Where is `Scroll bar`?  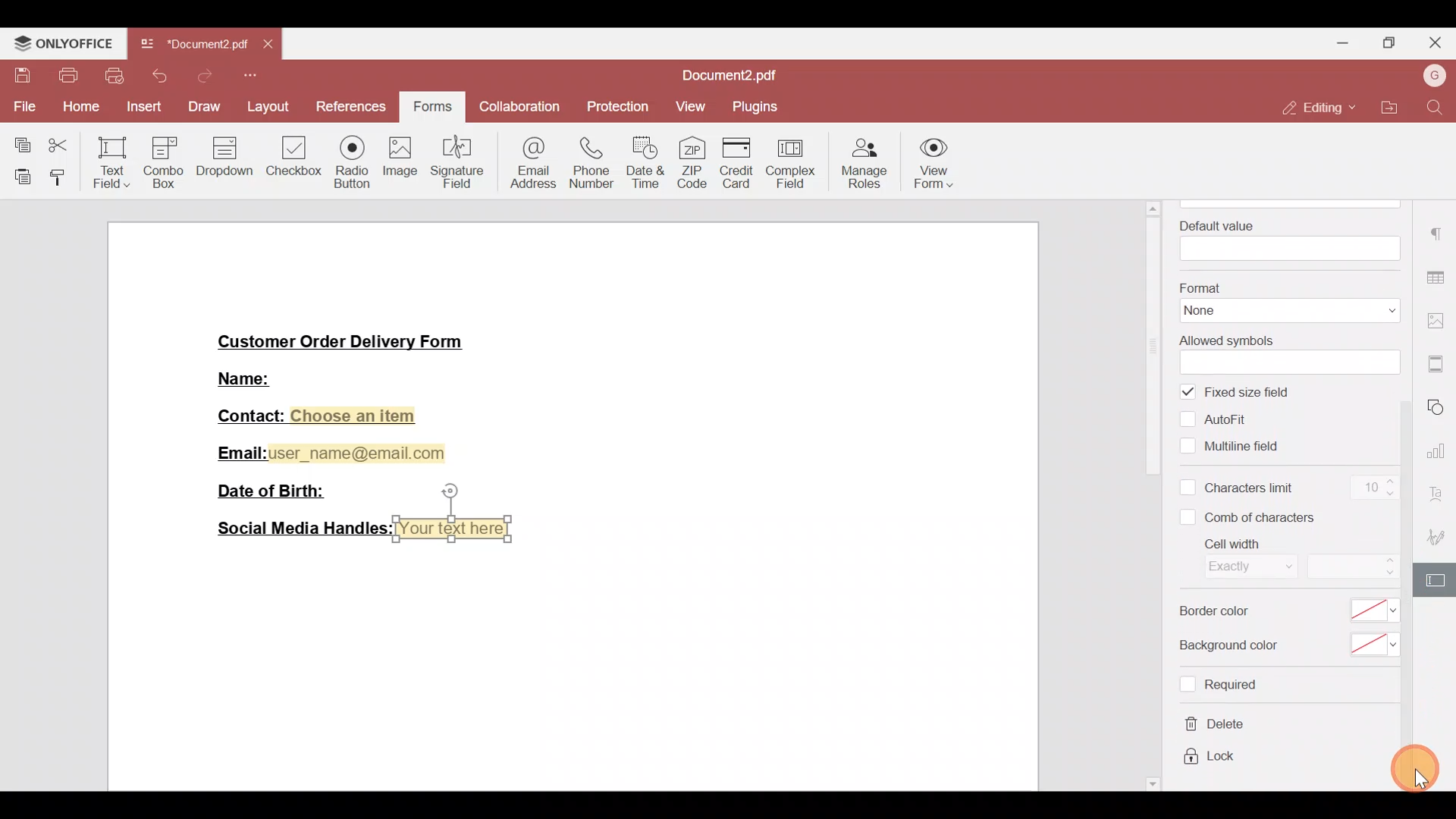 Scroll bar is located at coordinates (1413, 498).